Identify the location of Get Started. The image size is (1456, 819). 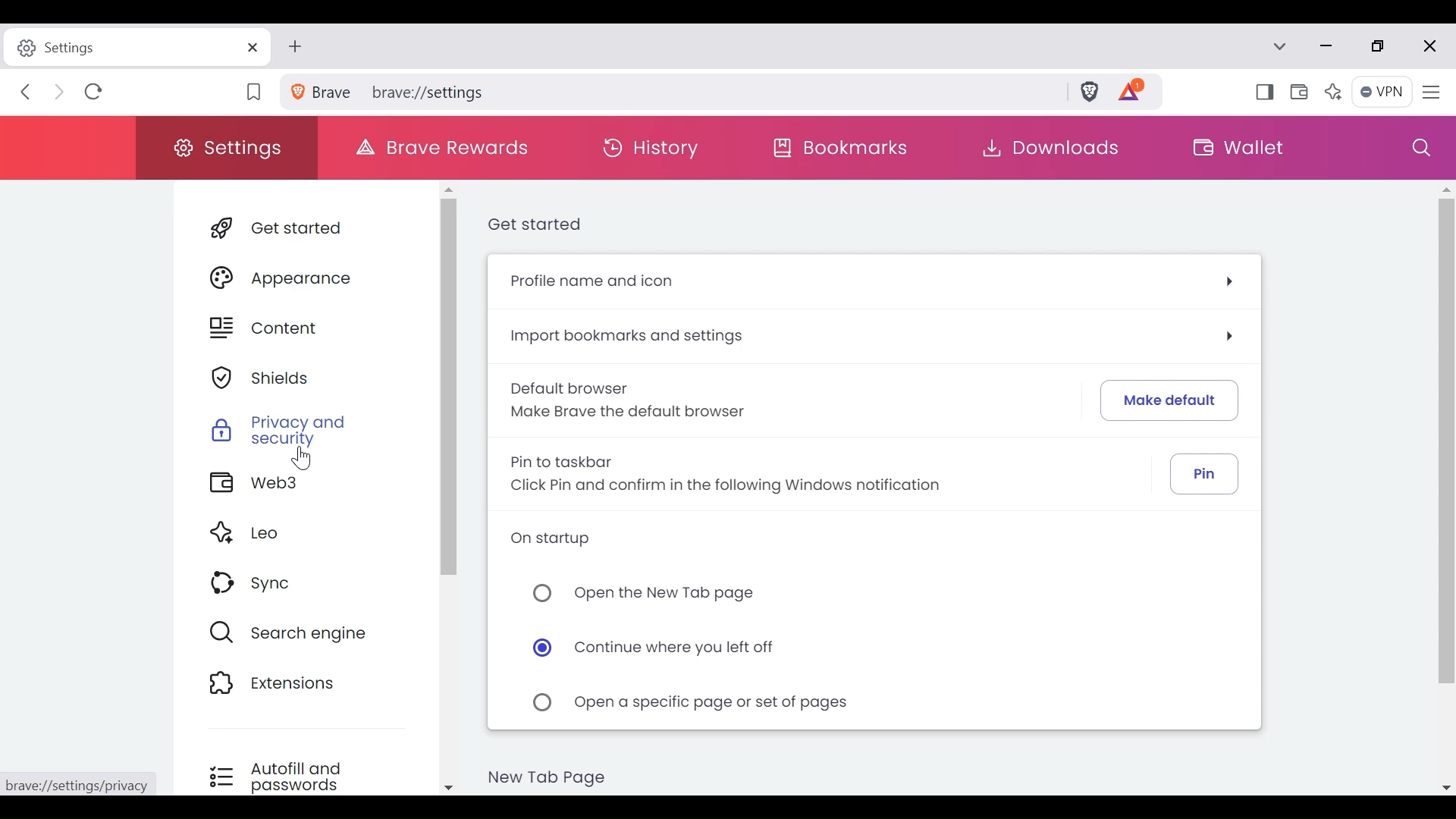
(541, 226).